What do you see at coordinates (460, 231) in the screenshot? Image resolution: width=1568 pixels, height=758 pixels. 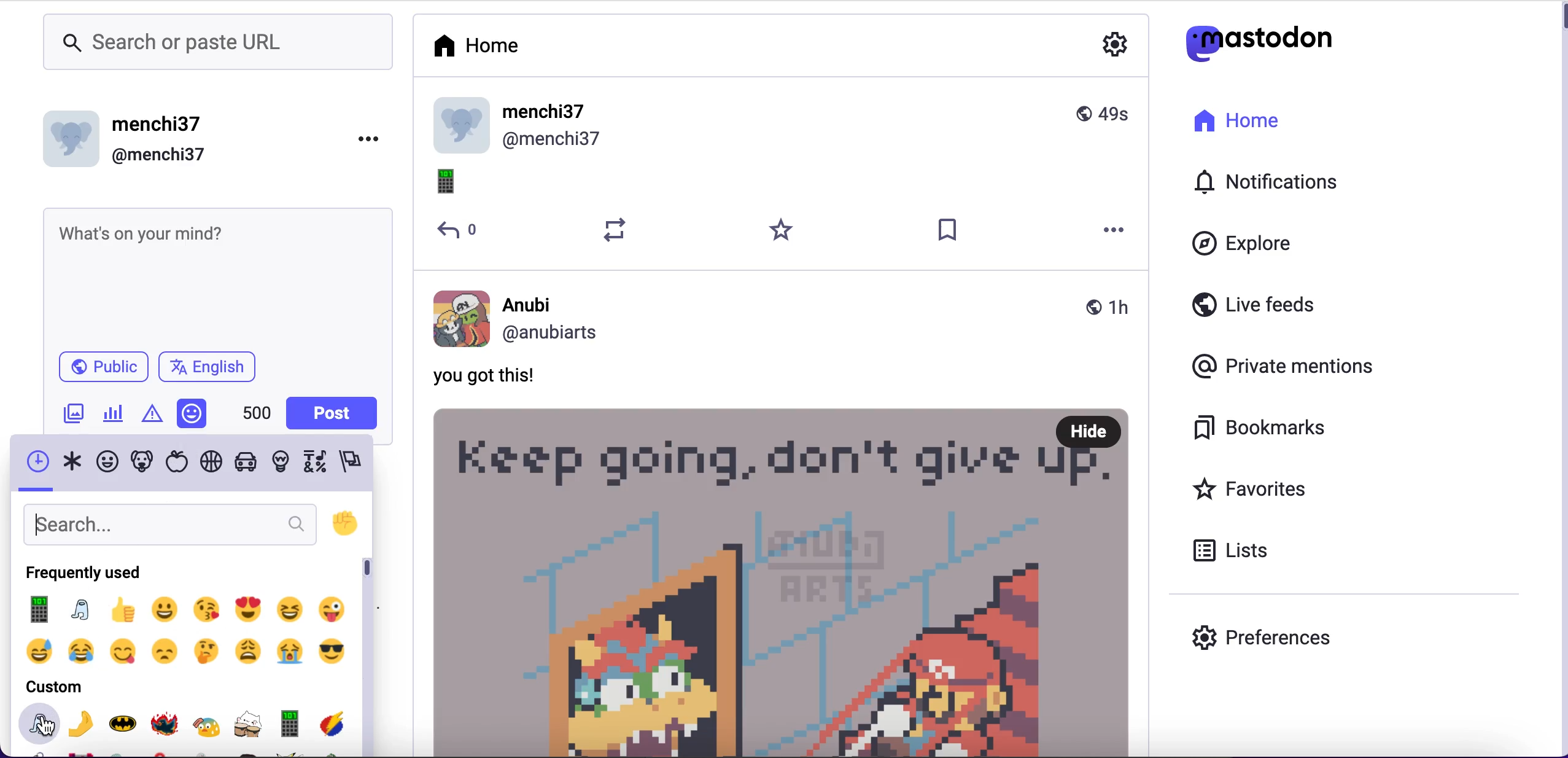 I see `reply` at bounding box center [460, 231].